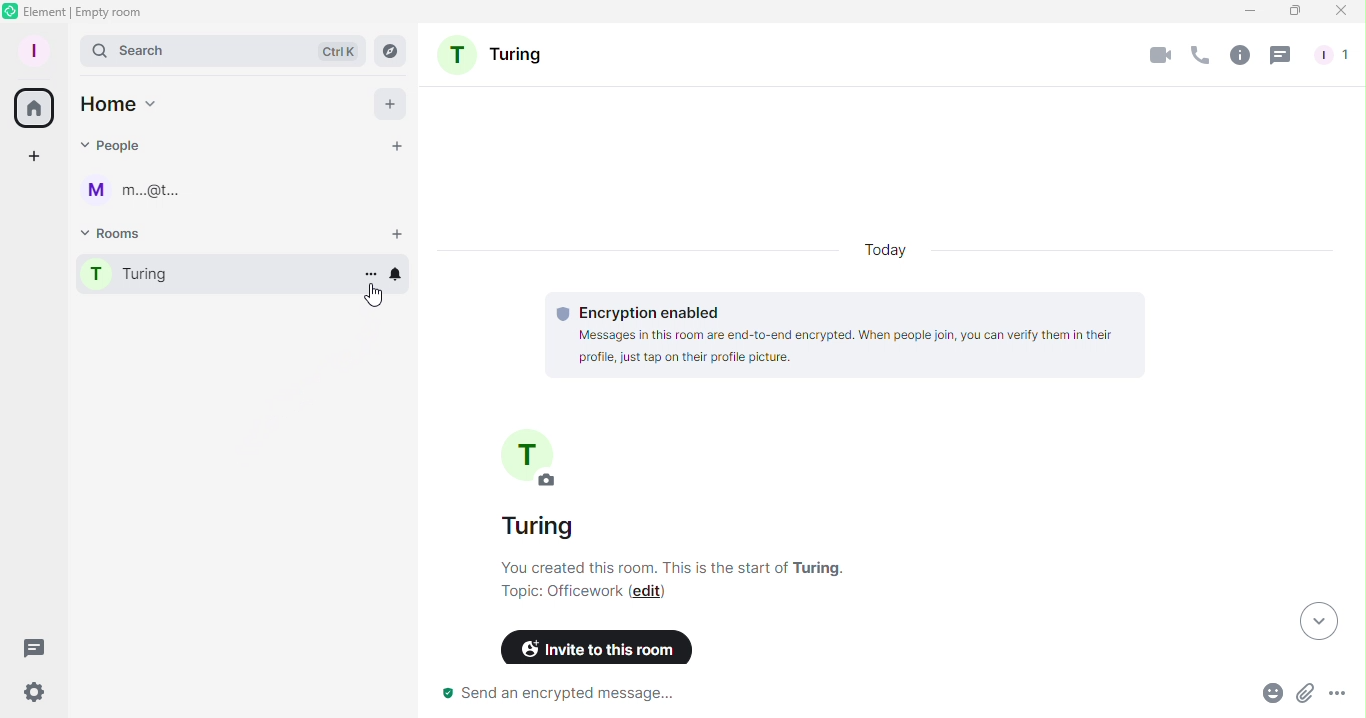  I want to click on Threads, so click(43, 651).